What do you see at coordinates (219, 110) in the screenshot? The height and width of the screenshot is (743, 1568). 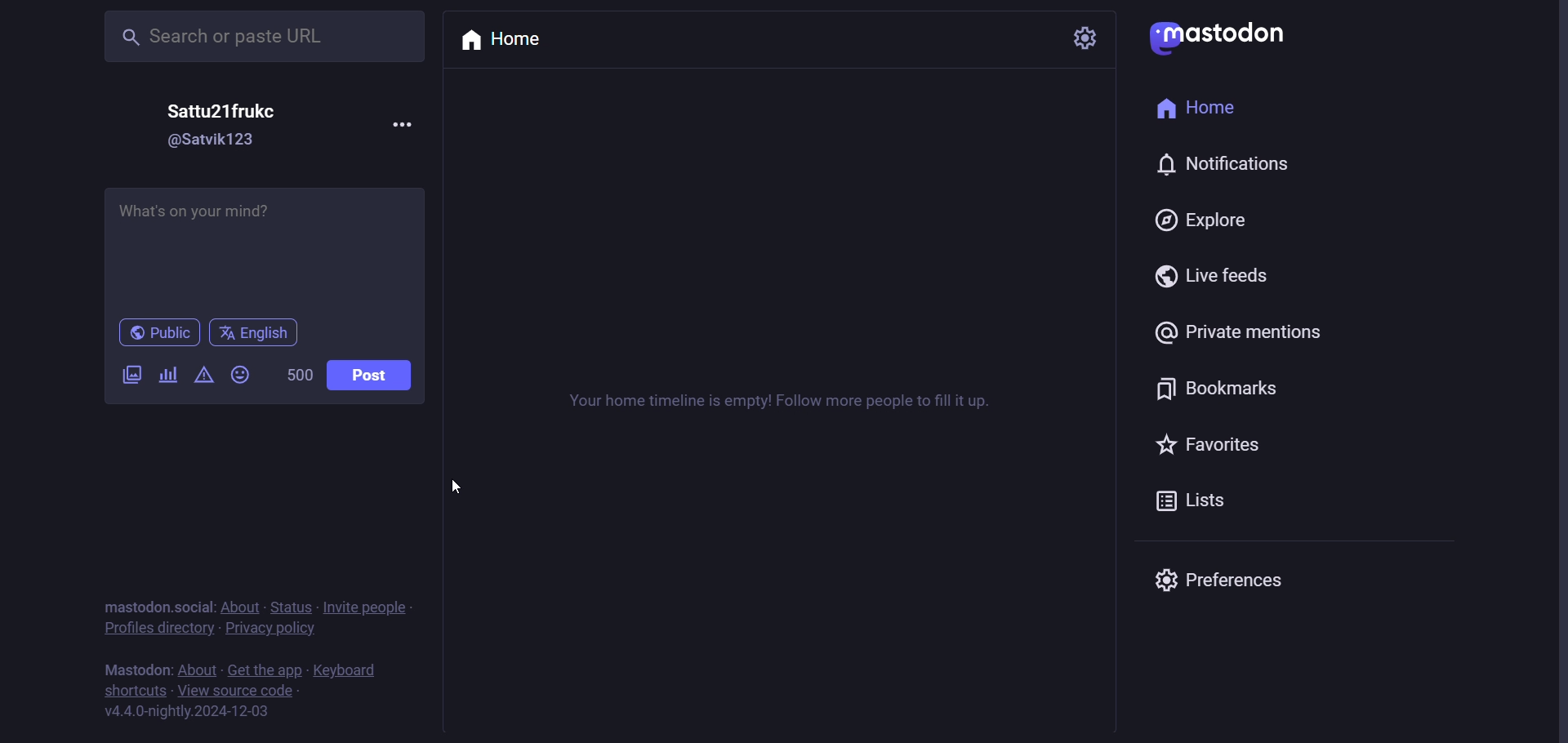 I see `Sattu21frukc` at bounding box center [219, 110].